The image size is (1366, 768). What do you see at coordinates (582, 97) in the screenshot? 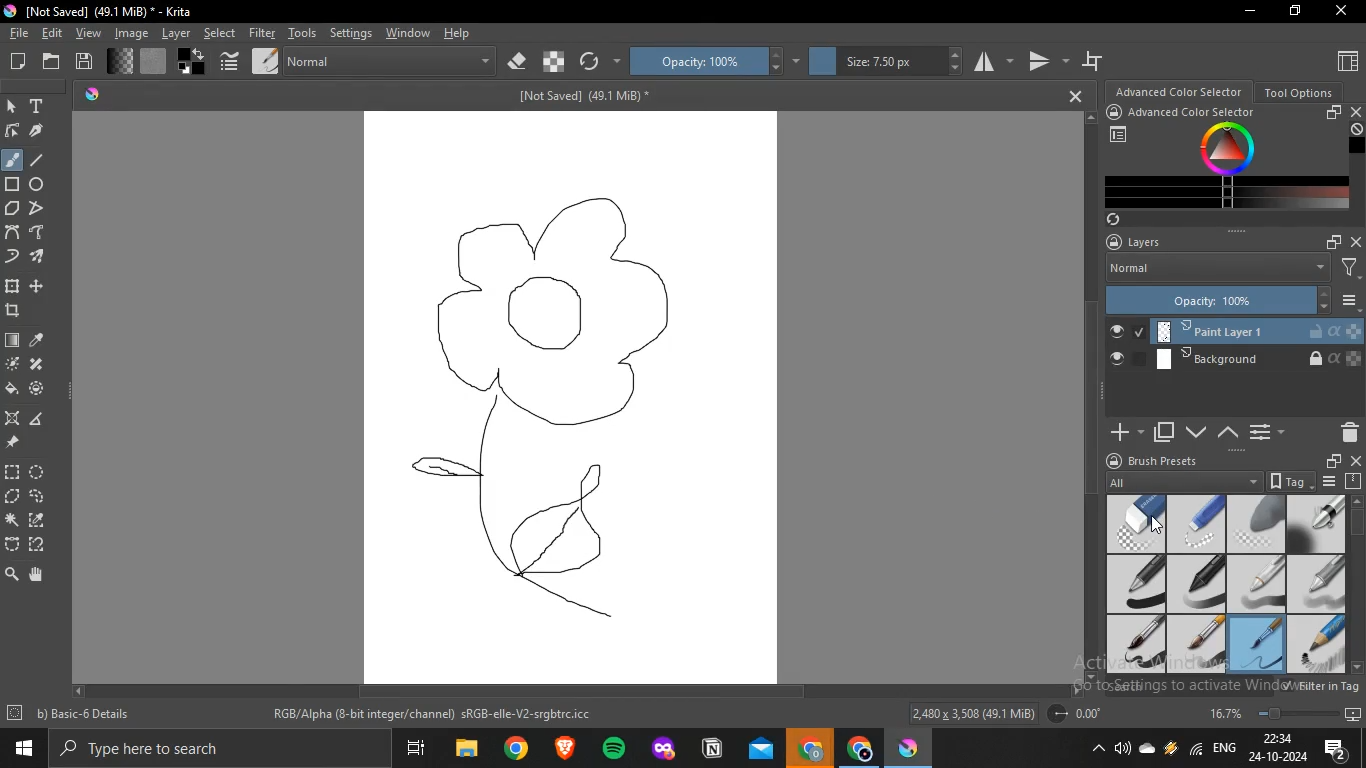
I see `[Not Saved] (49.1 MB)*` at bounding box center [582, 97].